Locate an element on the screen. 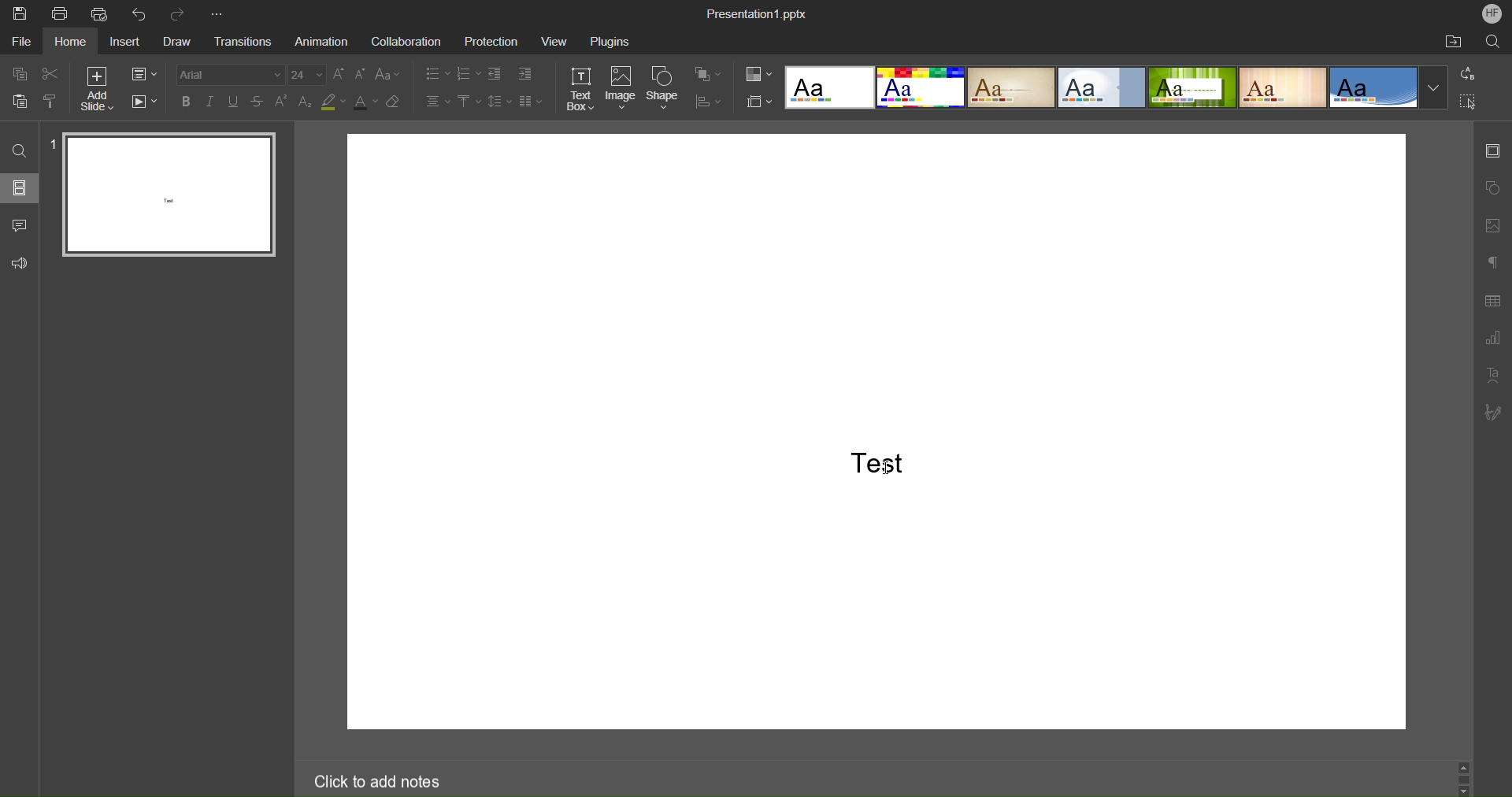  Numbered List is located at coordinates (468, 74).